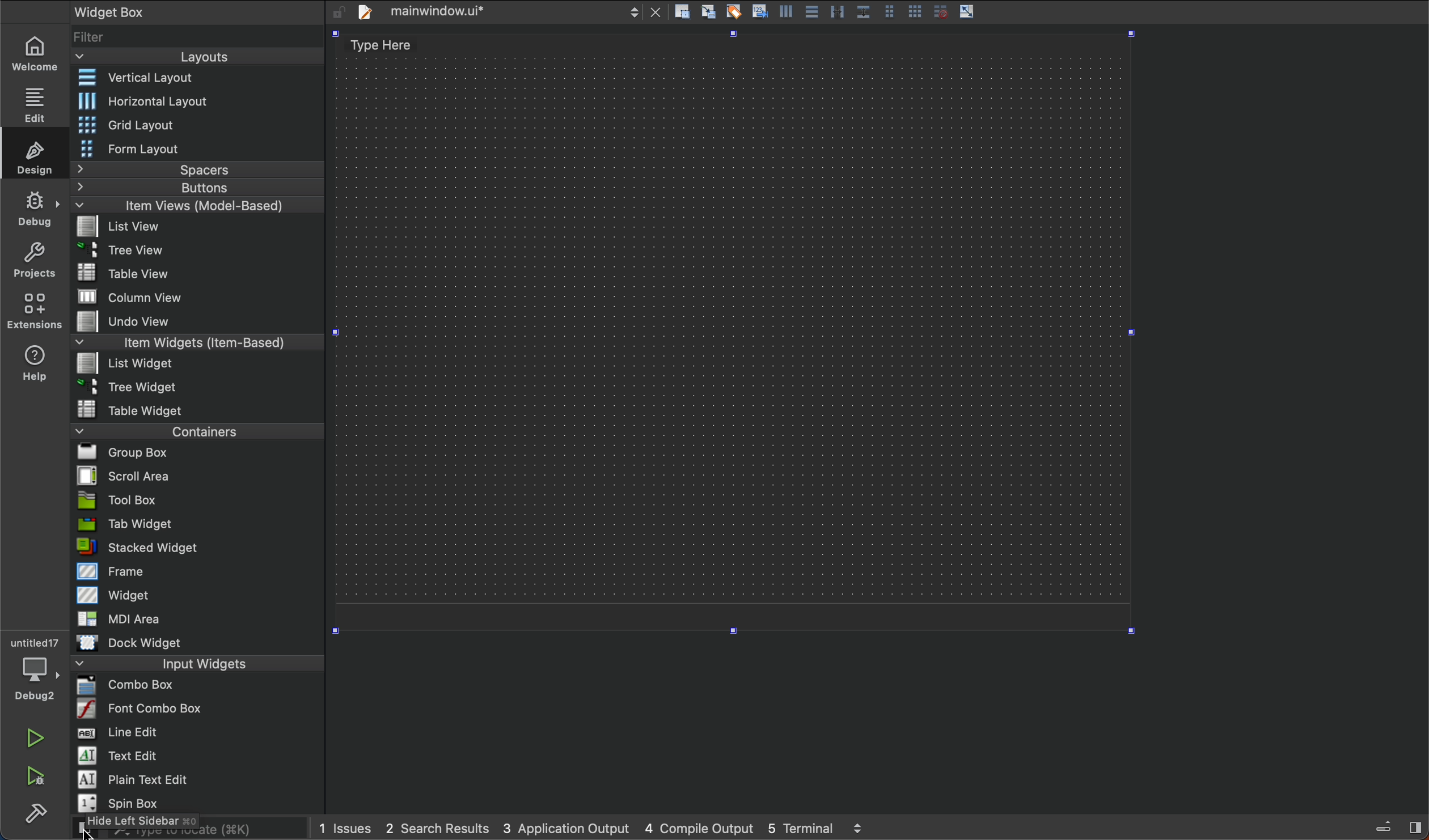 This screenshot has width=1429, height=840. I want to click on Filter, so click(91, 38).